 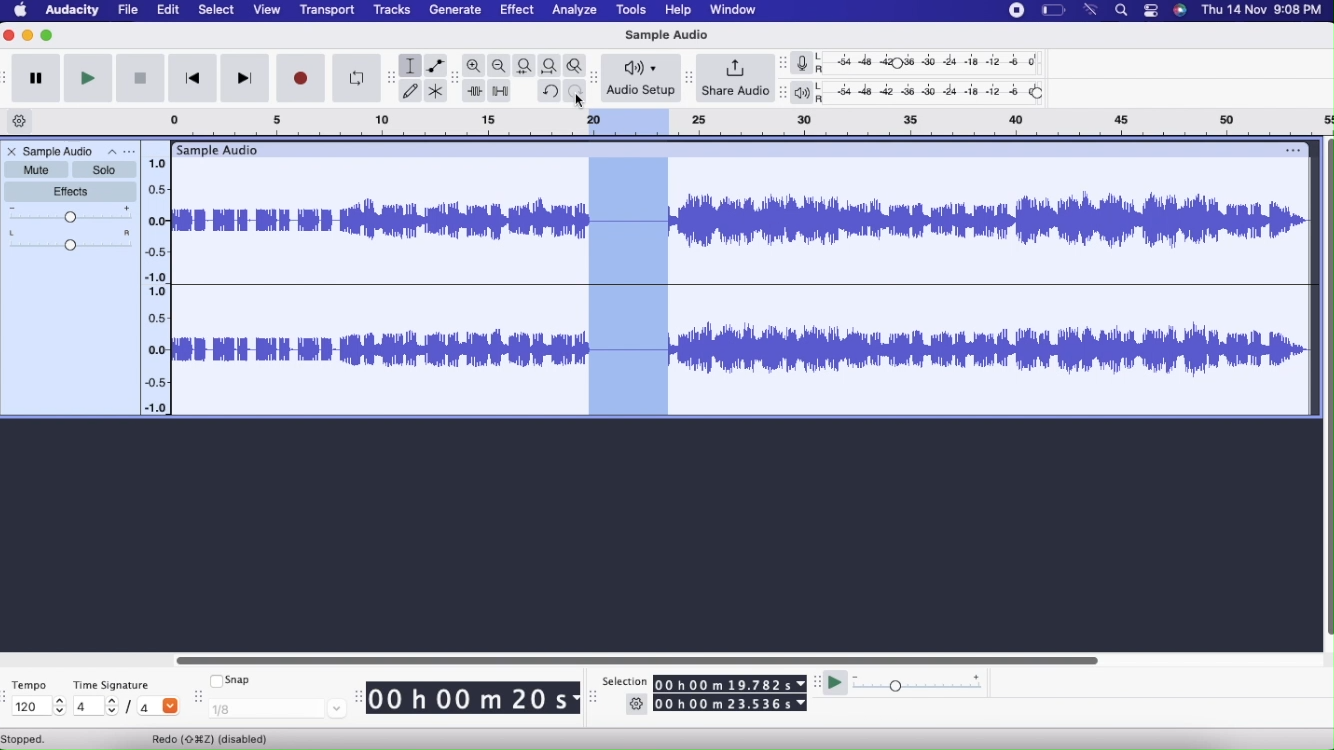 I want to click on Play, so click(x=88, y=78).